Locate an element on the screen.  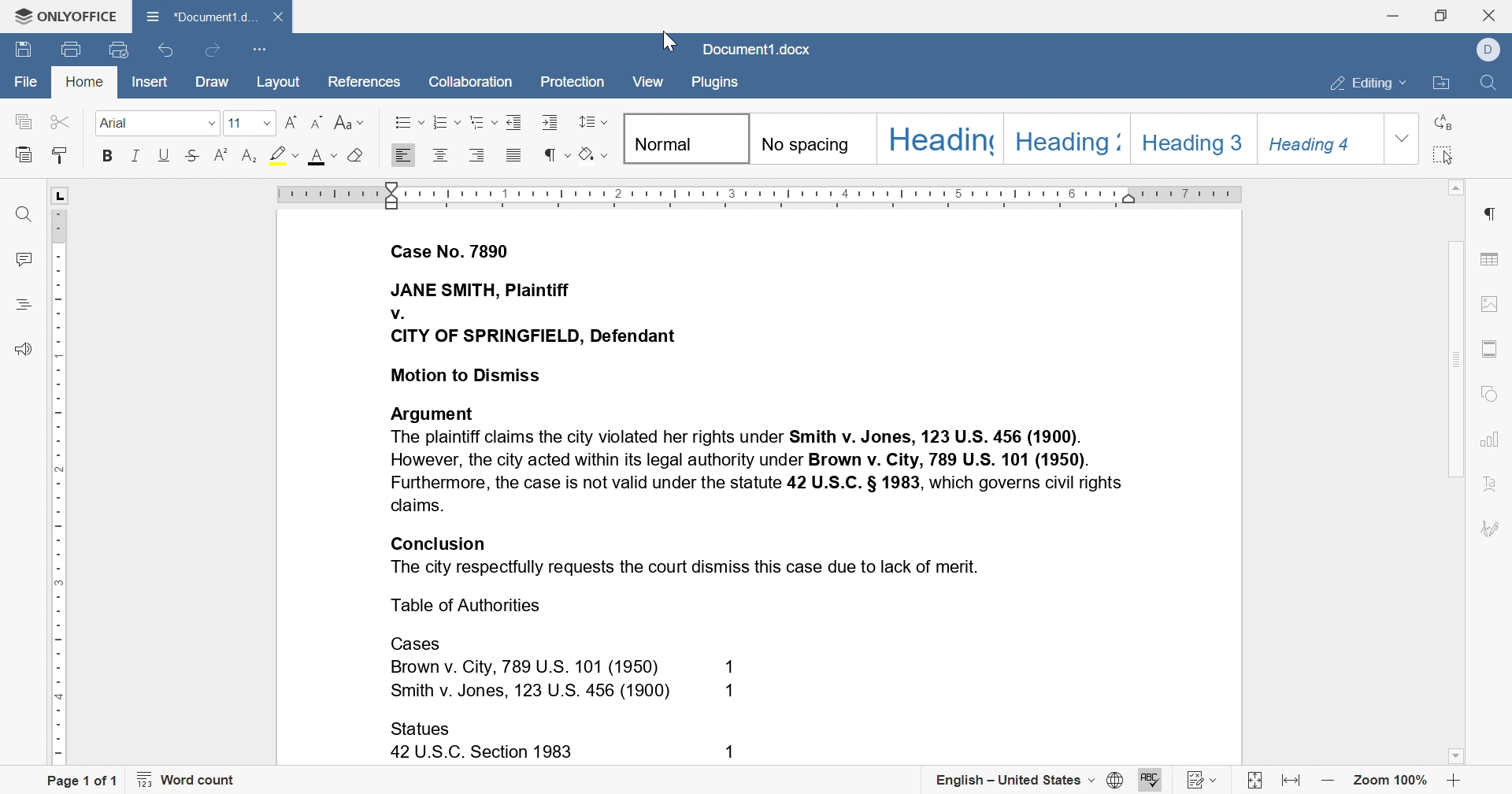
header & footer settings is located at coordinates (1489, 347).